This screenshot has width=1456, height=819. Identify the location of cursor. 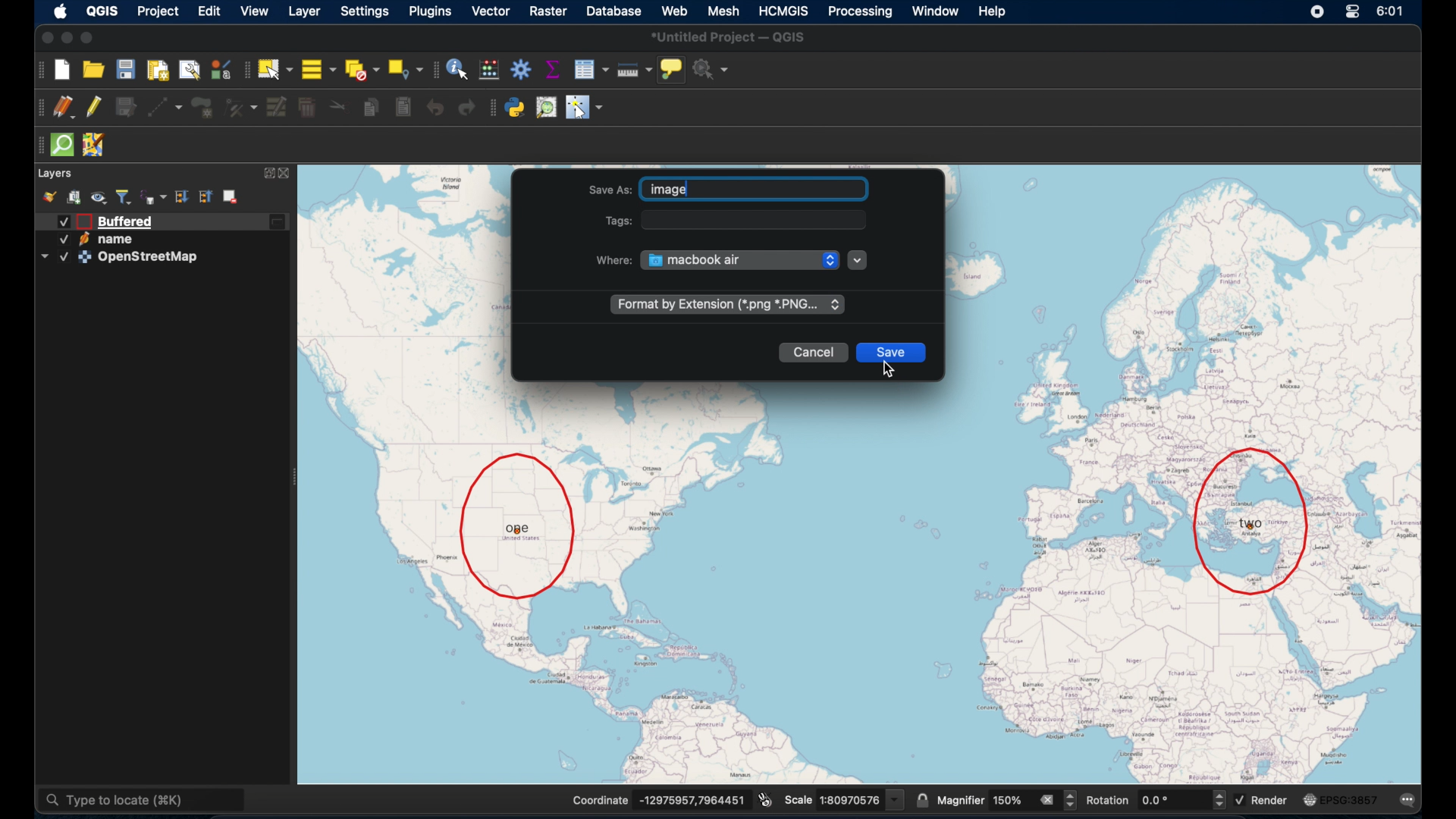
(890, 369).